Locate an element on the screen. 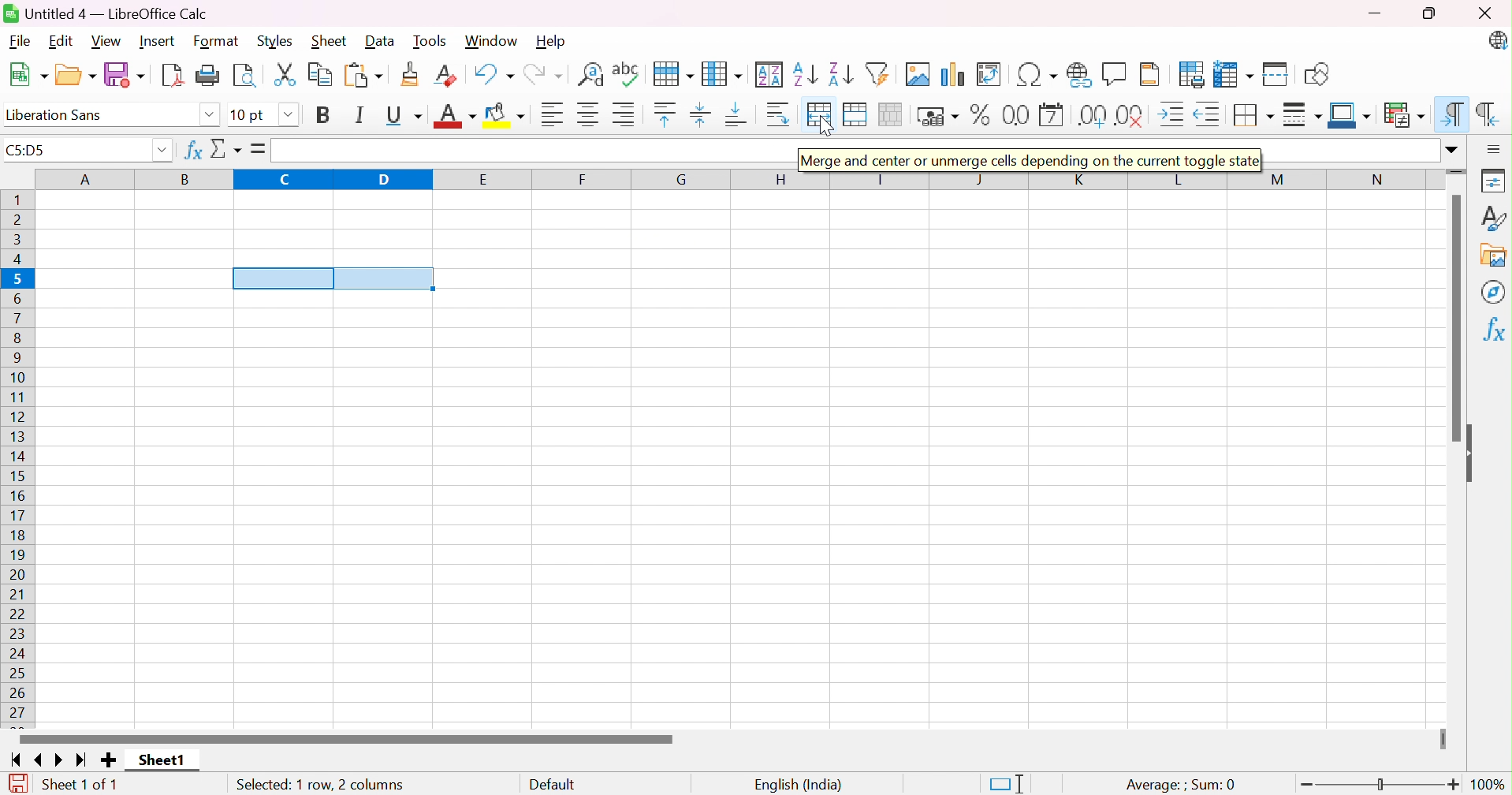 The image size is (1512, 795). Properties is located at coordinates (1494, 180).